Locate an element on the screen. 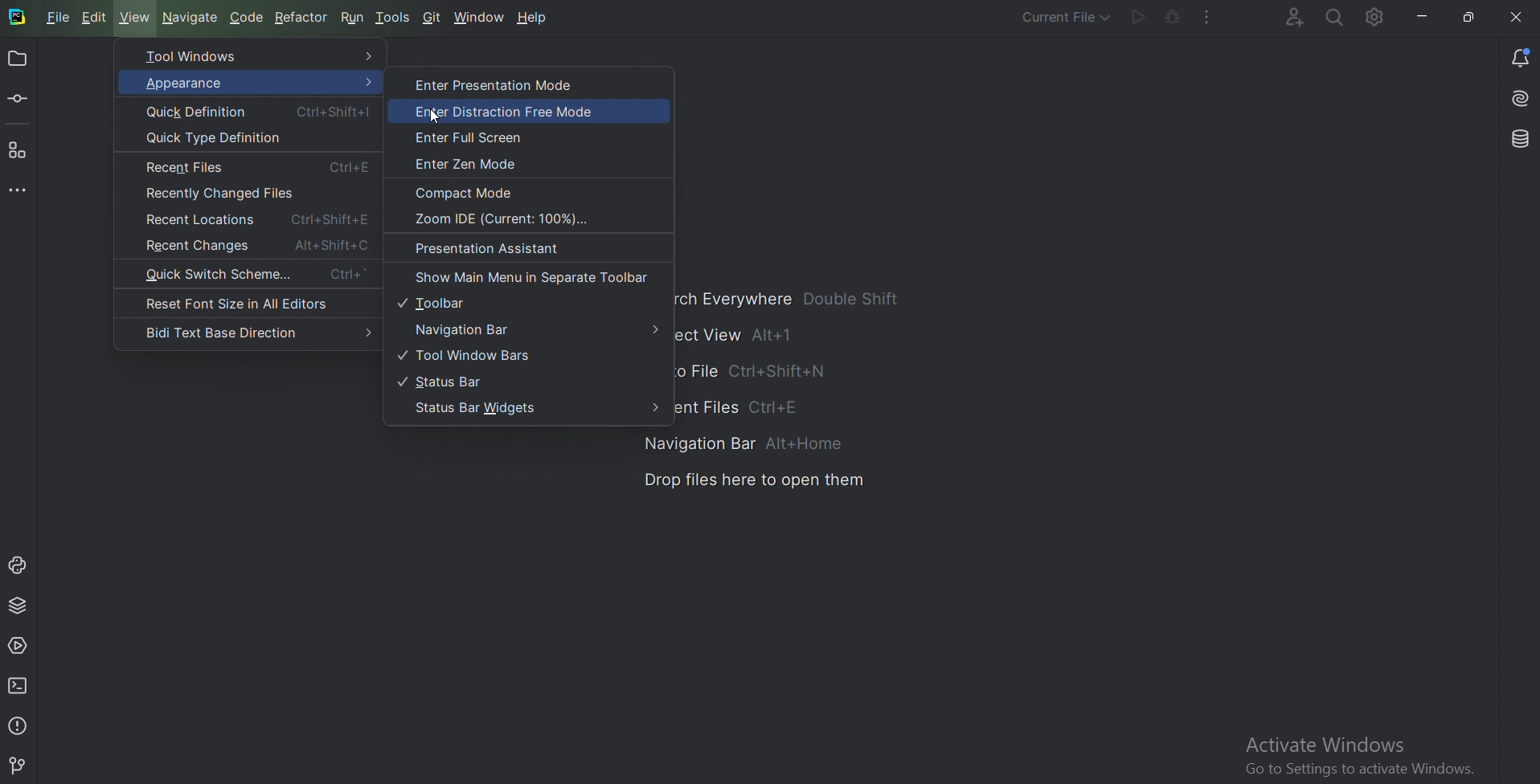 The image size is (1540, 784). Problems is located at coordinates (18, 725).